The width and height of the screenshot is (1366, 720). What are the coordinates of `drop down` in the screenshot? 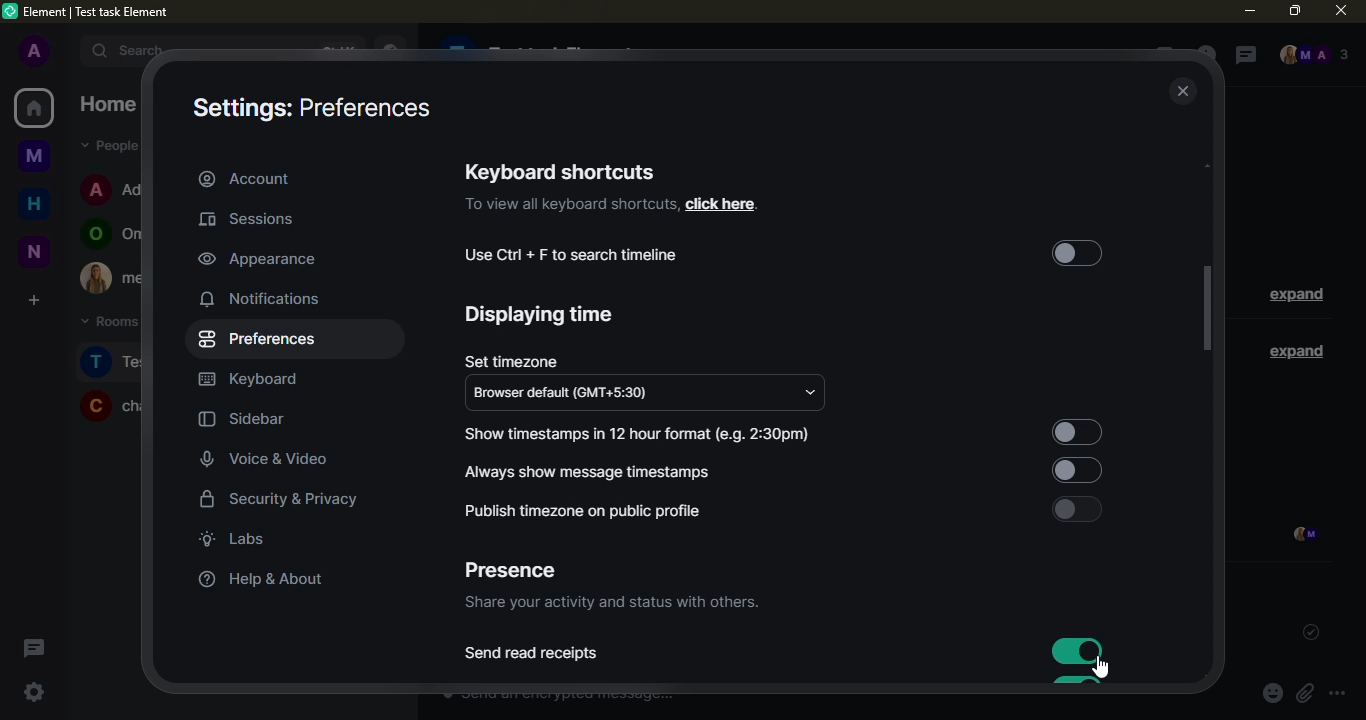 It's located at (810, 393).